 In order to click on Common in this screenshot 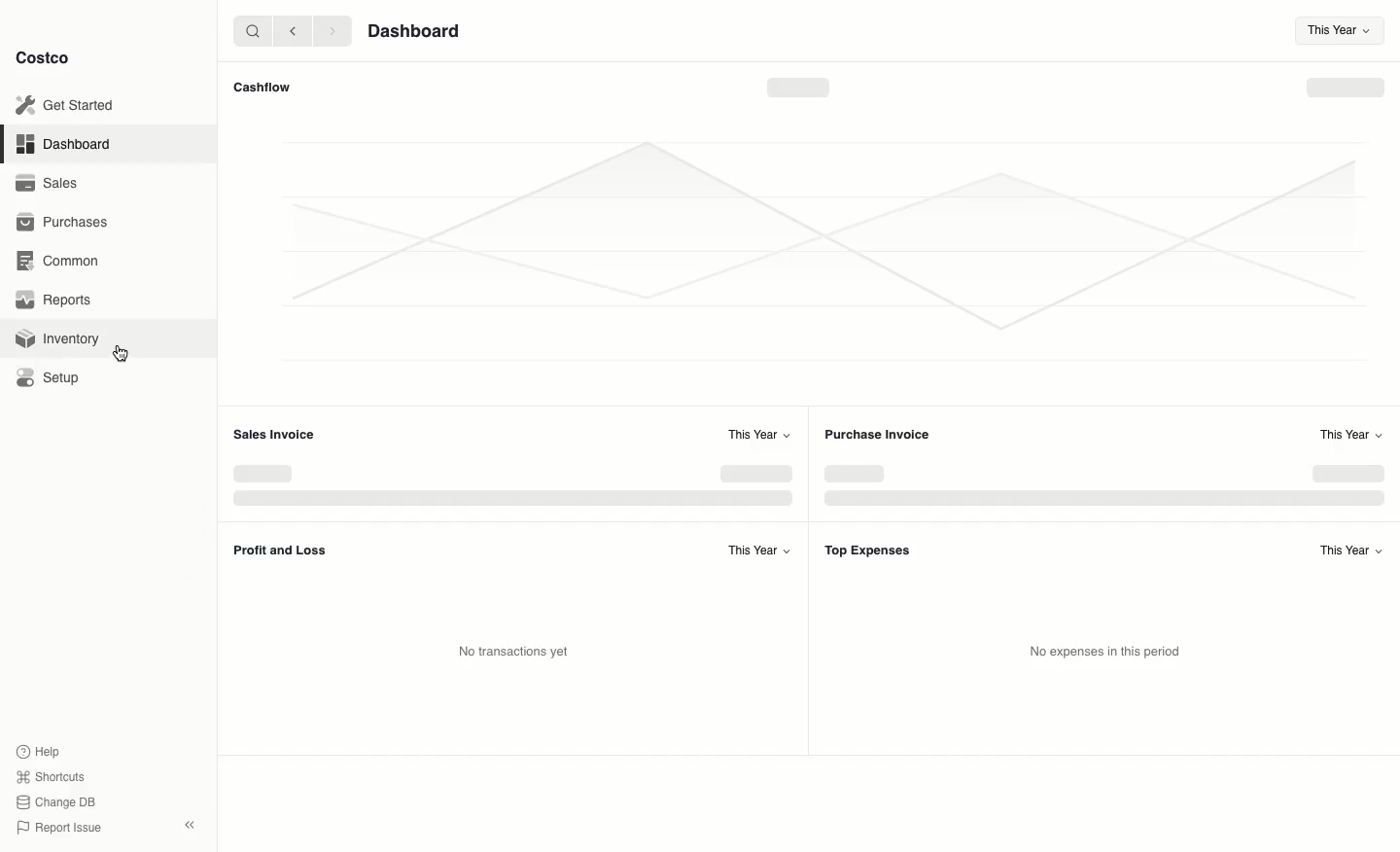, I will do `click(63, 263)`.